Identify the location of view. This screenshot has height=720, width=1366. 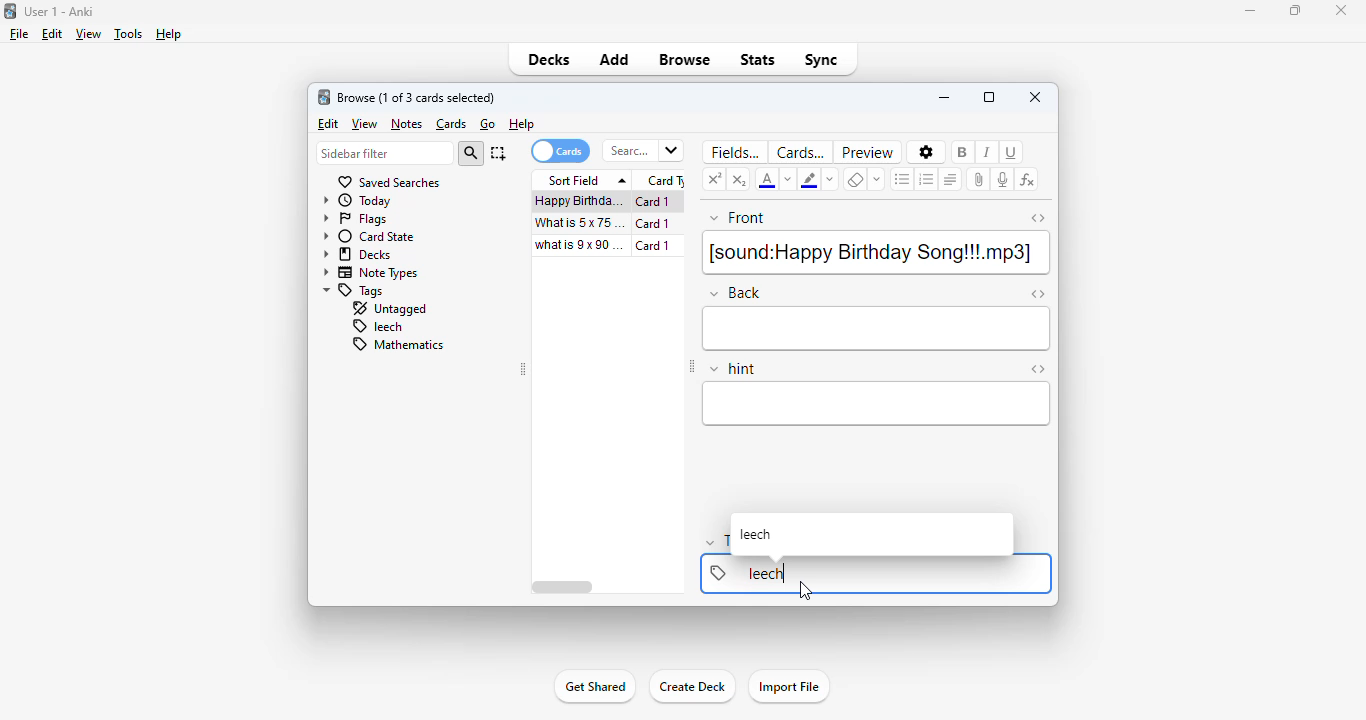
(365, 124).